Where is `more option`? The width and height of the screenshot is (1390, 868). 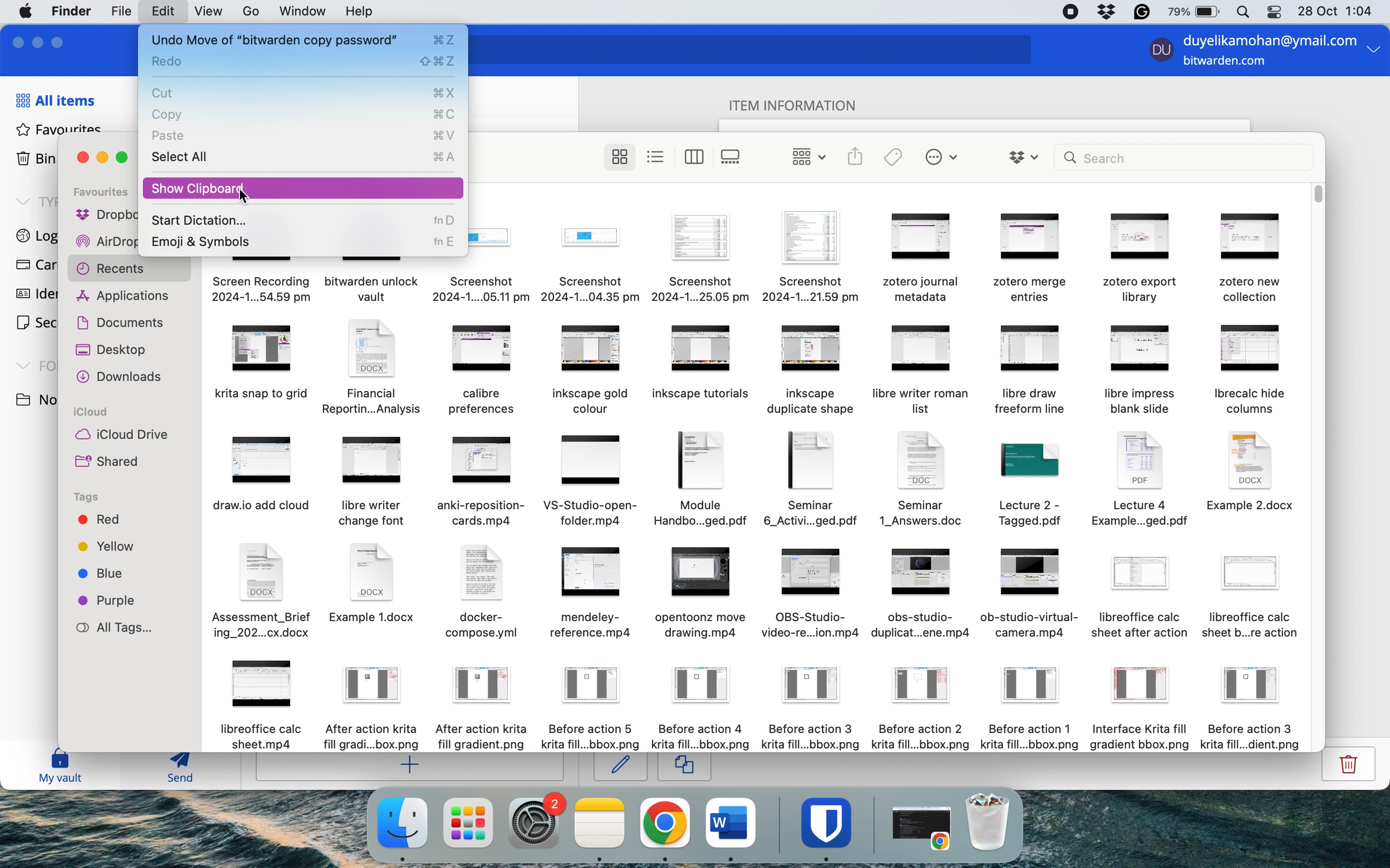
more option is located at coordinates (1374, 52).